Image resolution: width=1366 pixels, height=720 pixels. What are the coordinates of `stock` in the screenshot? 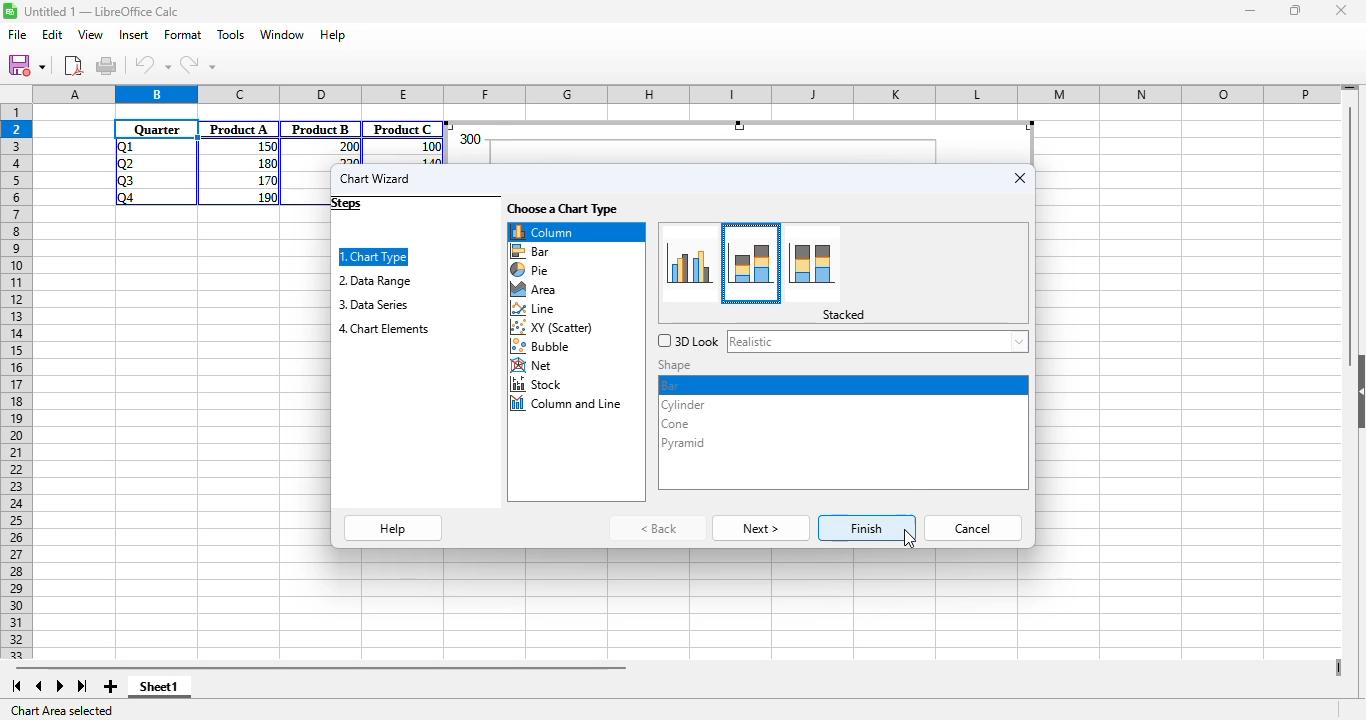 It's located at (538, 384).